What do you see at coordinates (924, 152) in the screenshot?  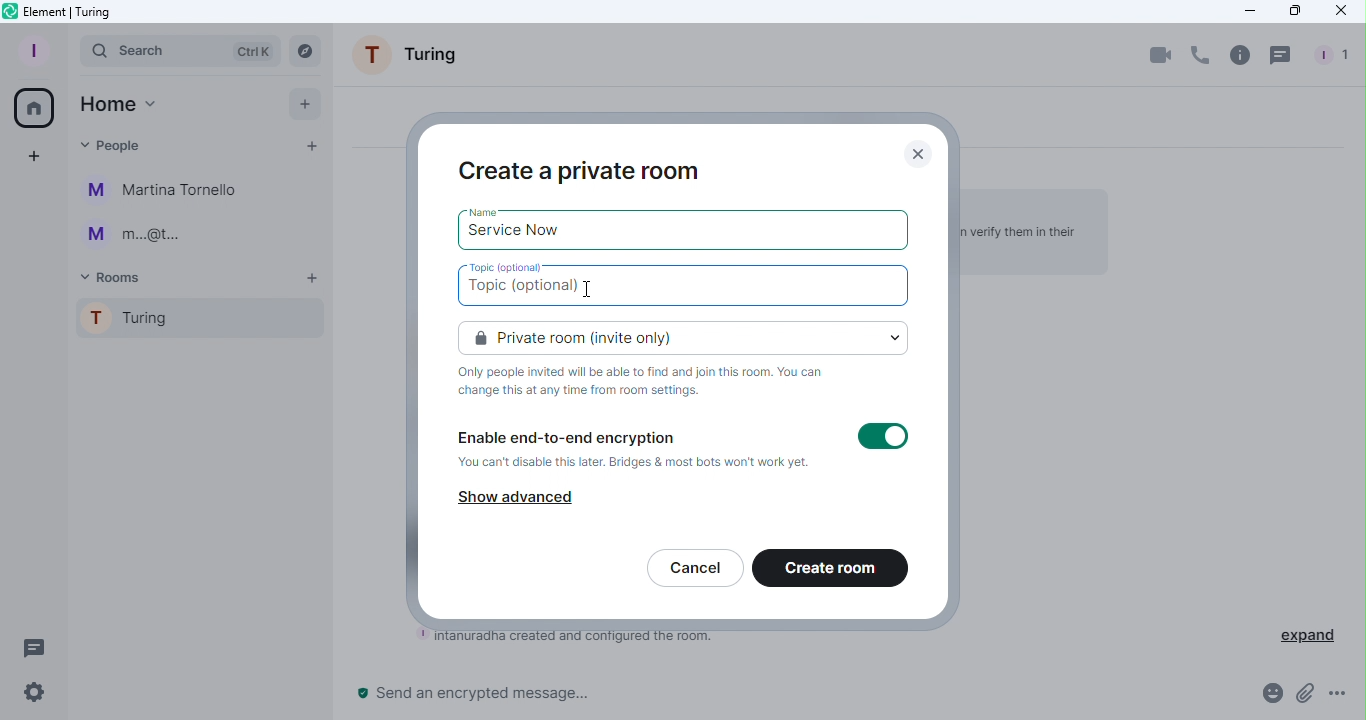 I see `Close` at bounding box center [924, 152].